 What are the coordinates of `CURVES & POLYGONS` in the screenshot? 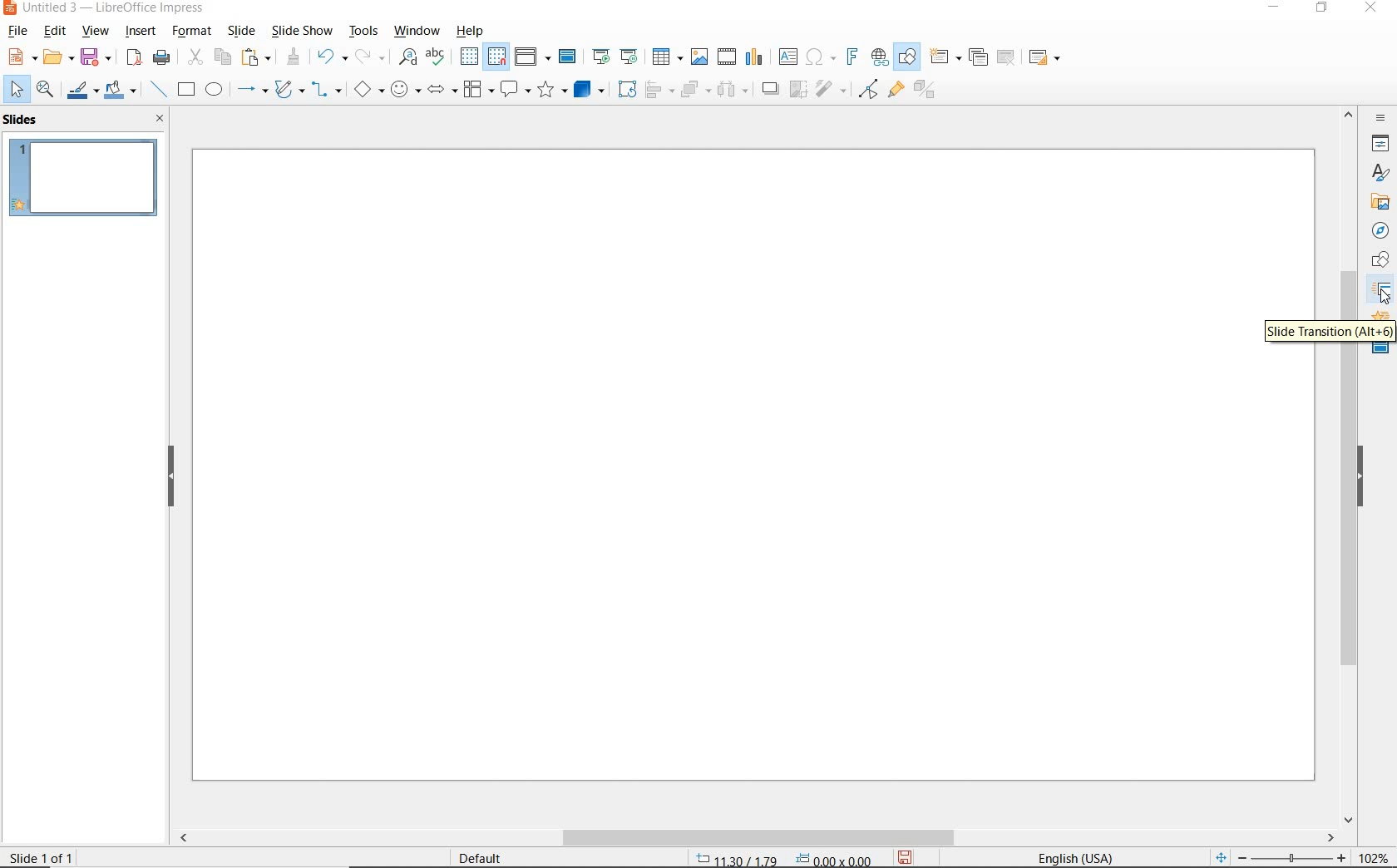 It's located at (288, 89).